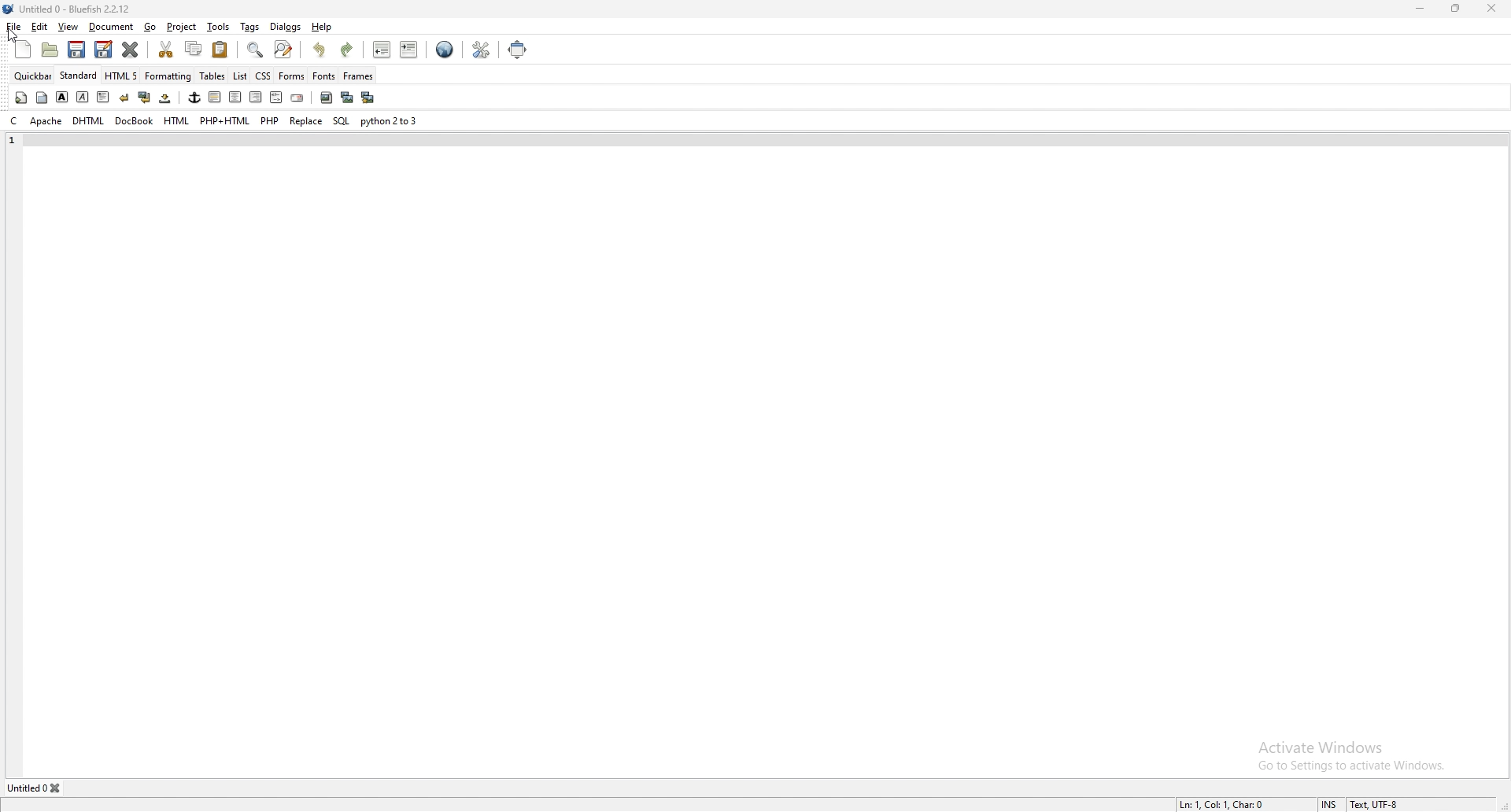 The image size is (1511, 812). What do you see at coordinates (257, 98) in the screenshot?
I see `right justify` at bounding box center [257, 98].